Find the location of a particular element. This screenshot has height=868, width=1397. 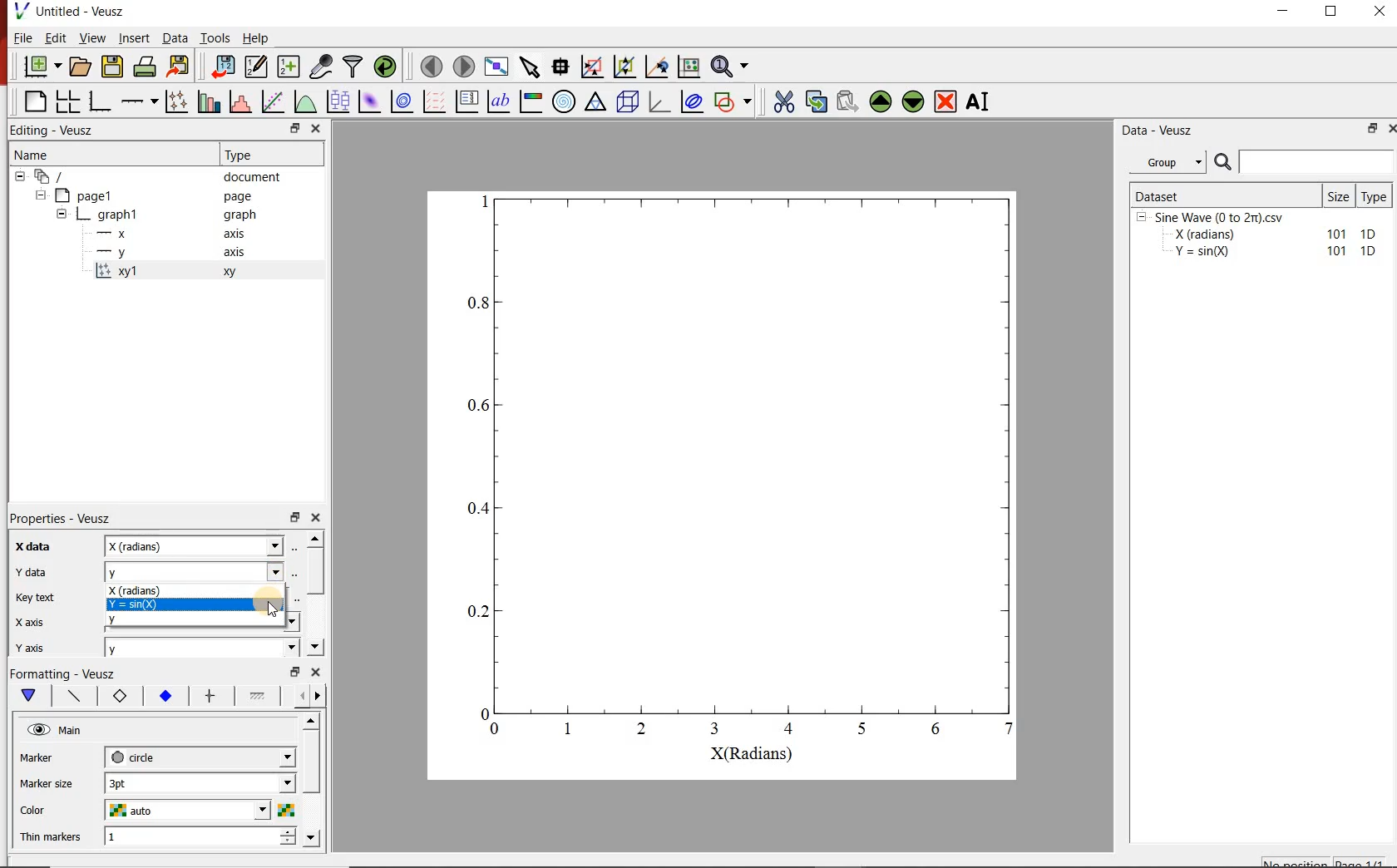

read data points is located at coordinates (560, 65).